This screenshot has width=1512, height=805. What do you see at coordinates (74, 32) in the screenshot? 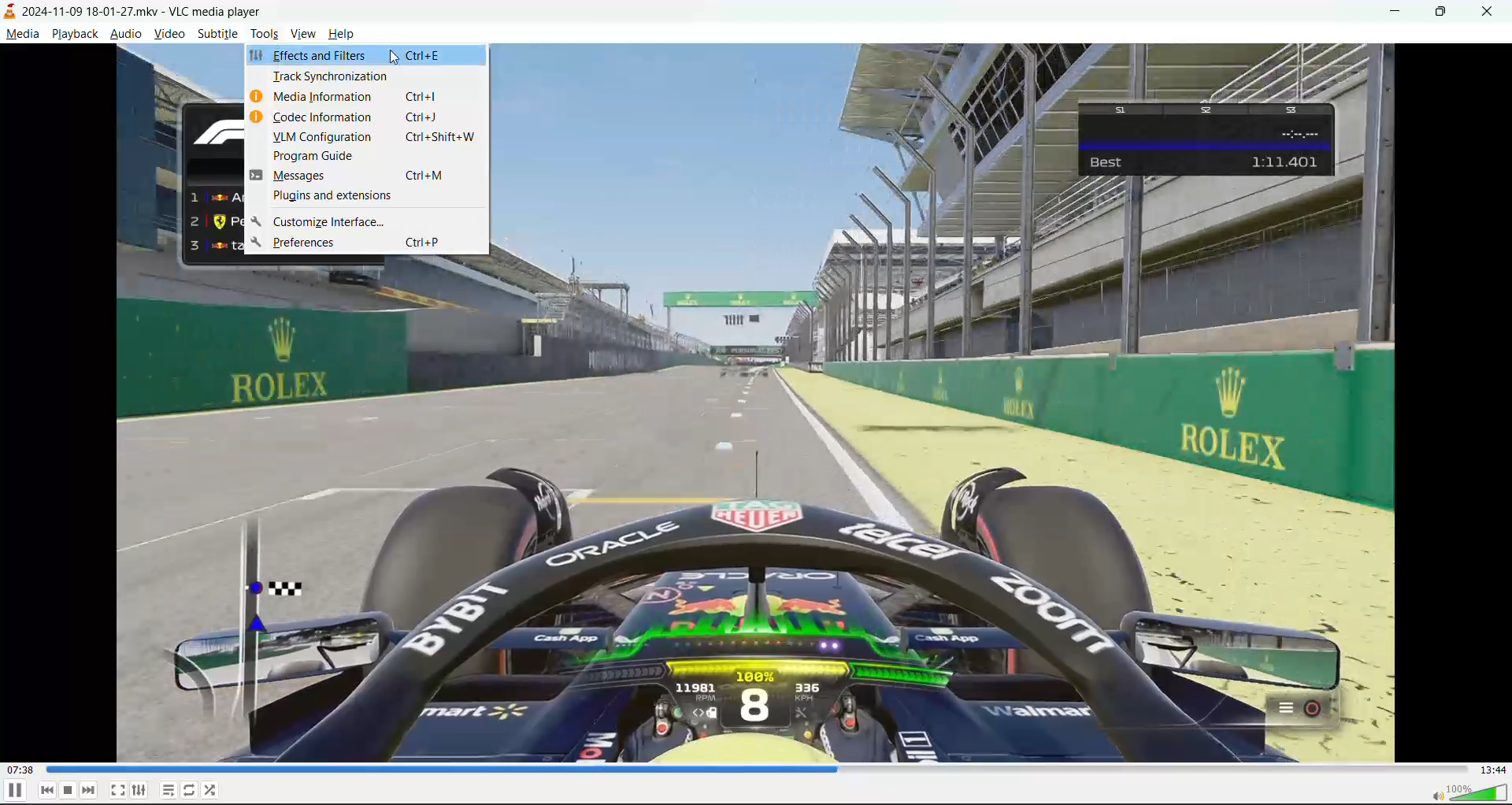
I see `playback` at bounding box center [74, 32].